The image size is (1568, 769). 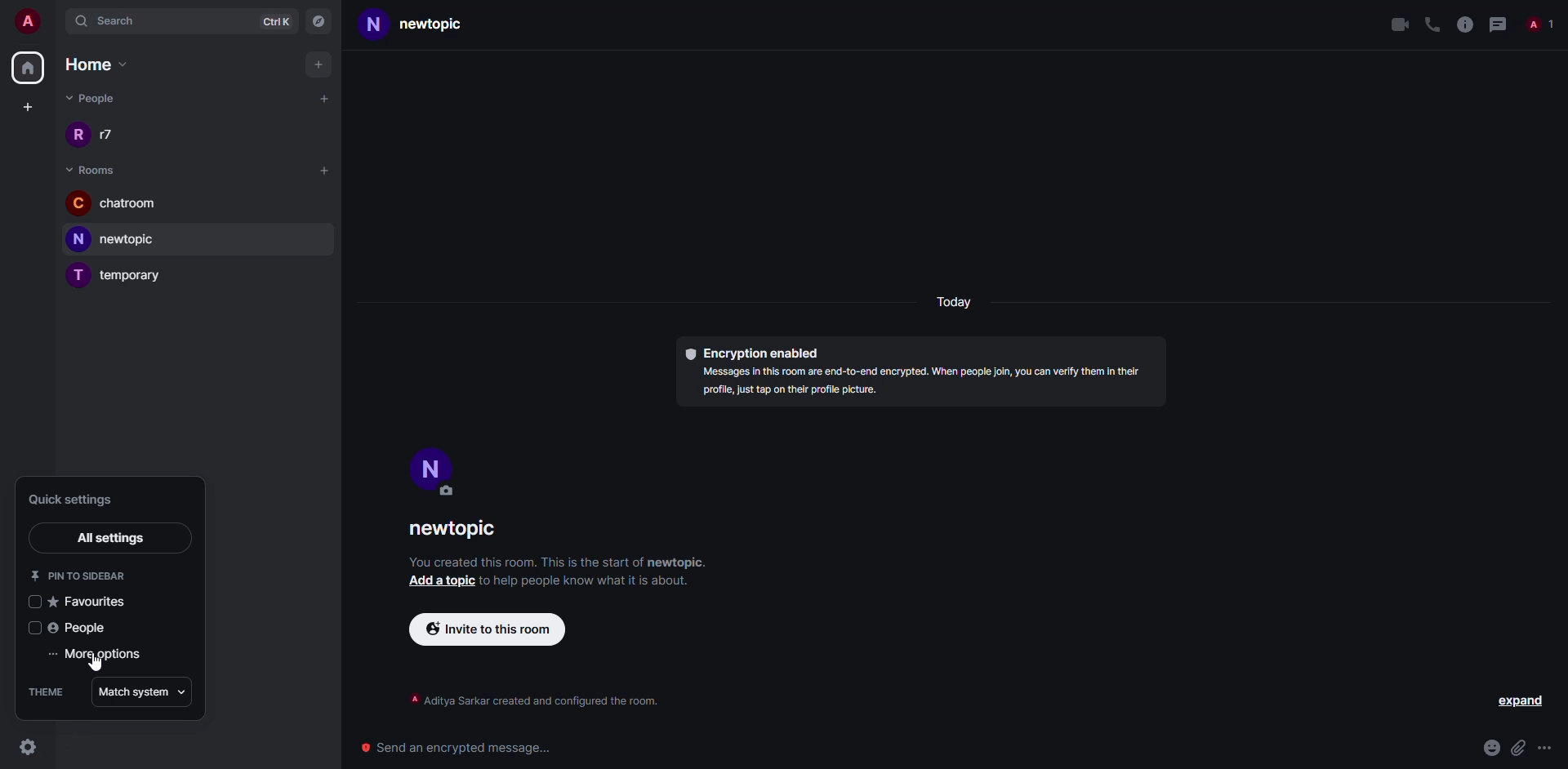 I want to click on select, so click(x=35, y=602).